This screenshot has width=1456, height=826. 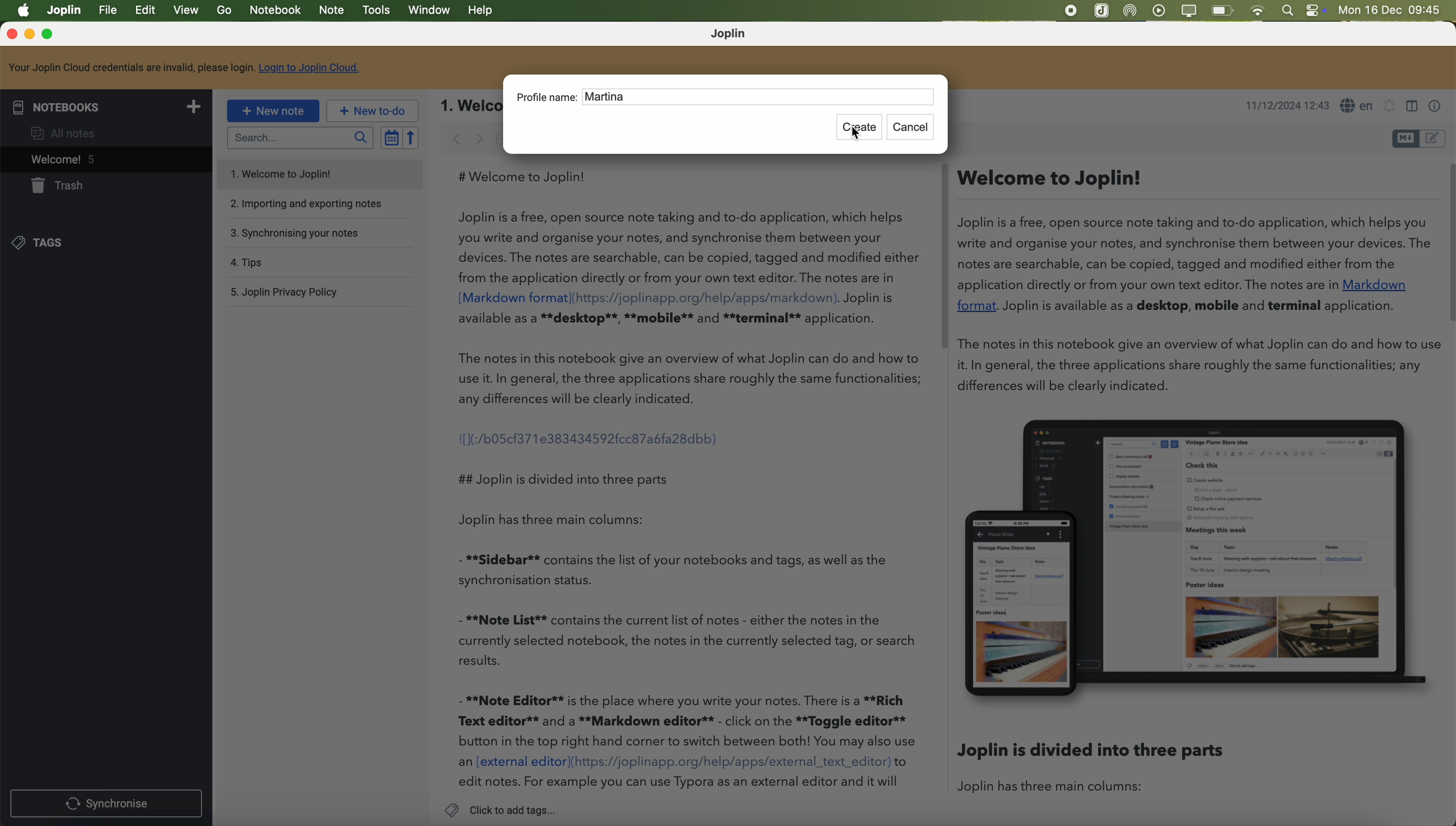 I want to click on toggle editors, so click(x=1403, y=139).